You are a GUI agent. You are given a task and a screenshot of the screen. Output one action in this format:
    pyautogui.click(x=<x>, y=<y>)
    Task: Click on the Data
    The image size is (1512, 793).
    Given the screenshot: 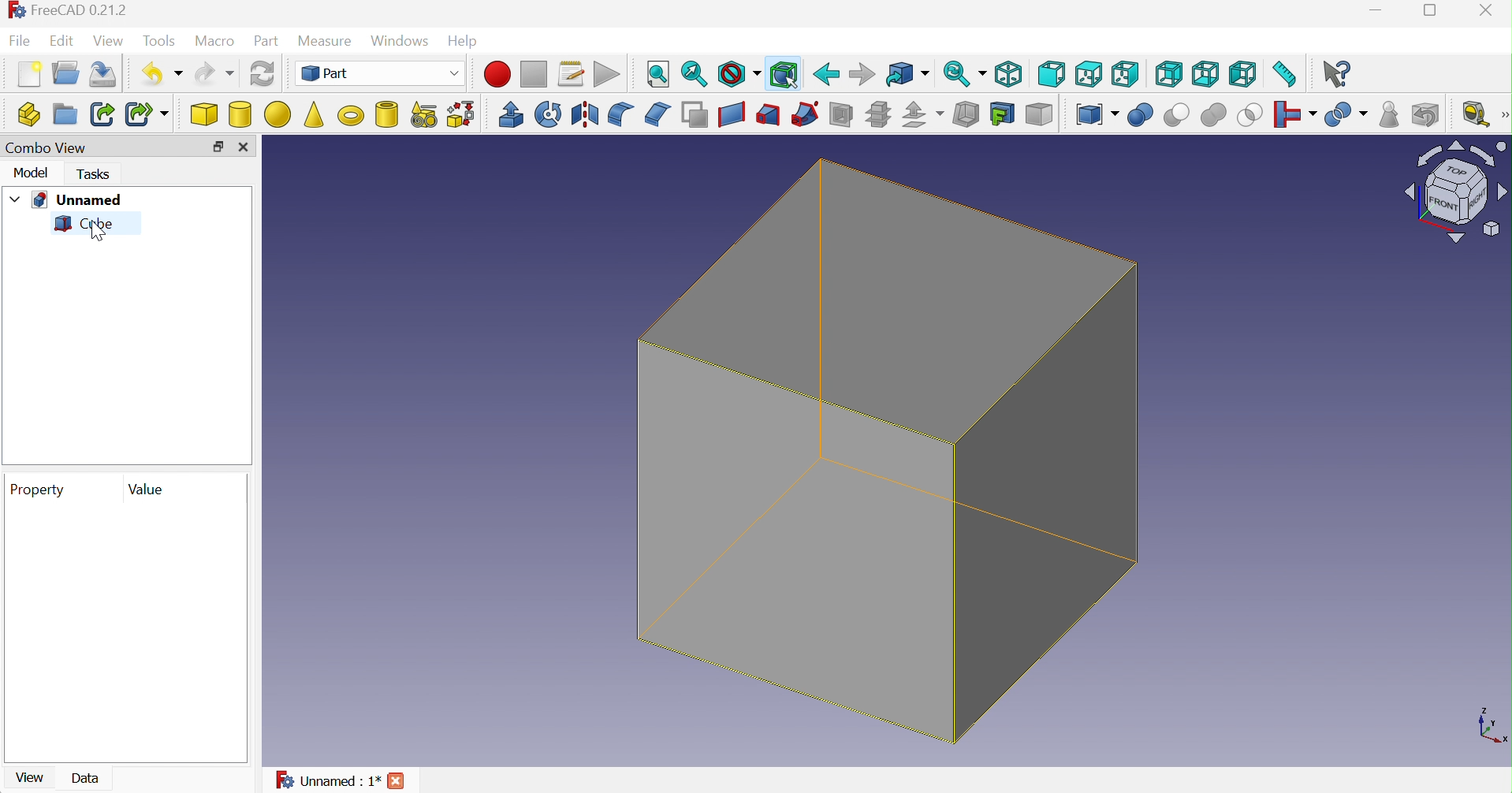 What is the action you would take?
    pyautogui.click(x=88, y=779)
    